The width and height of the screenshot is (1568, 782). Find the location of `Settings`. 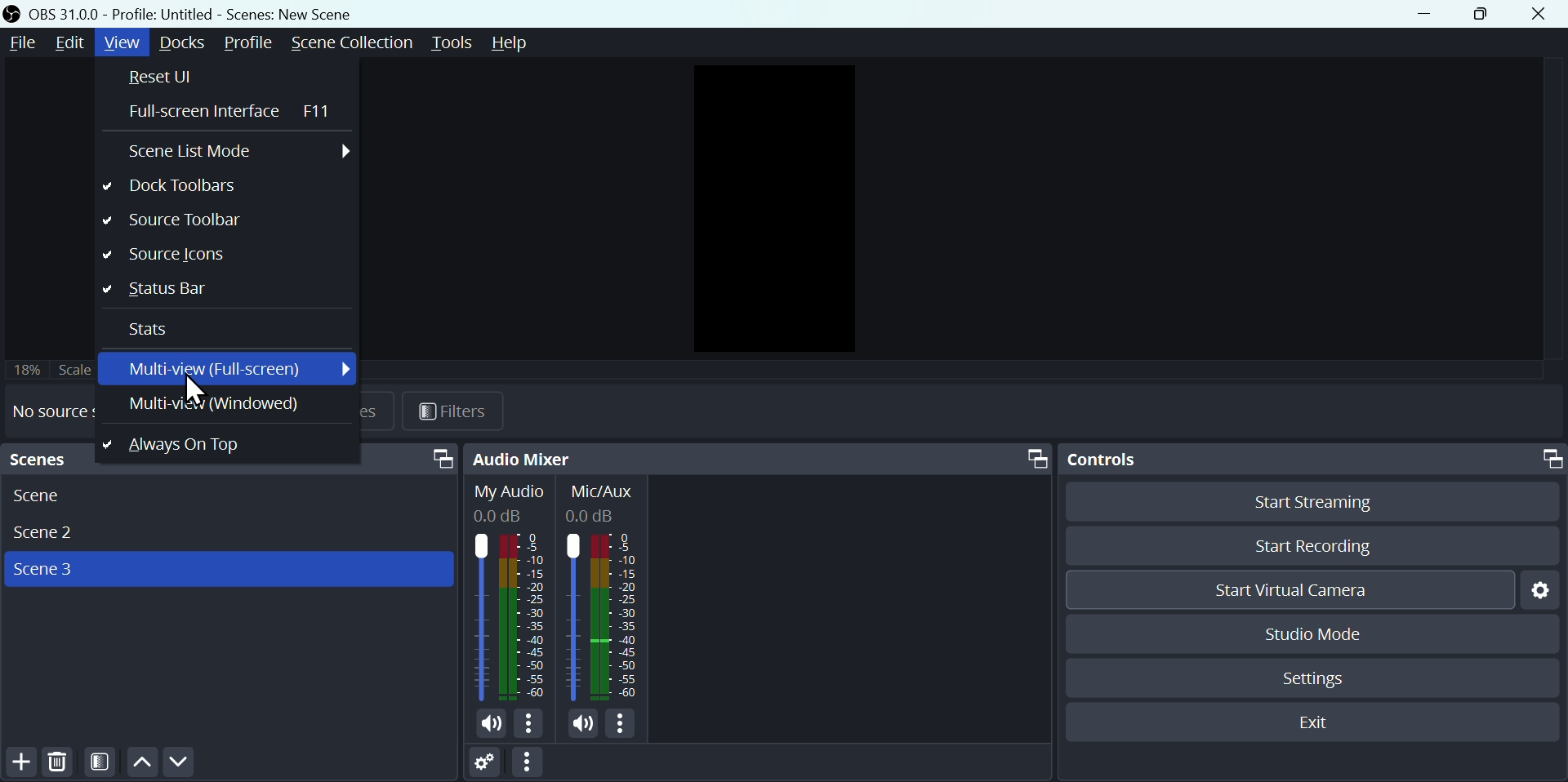

Settings is located at coordinates (1543, 591).